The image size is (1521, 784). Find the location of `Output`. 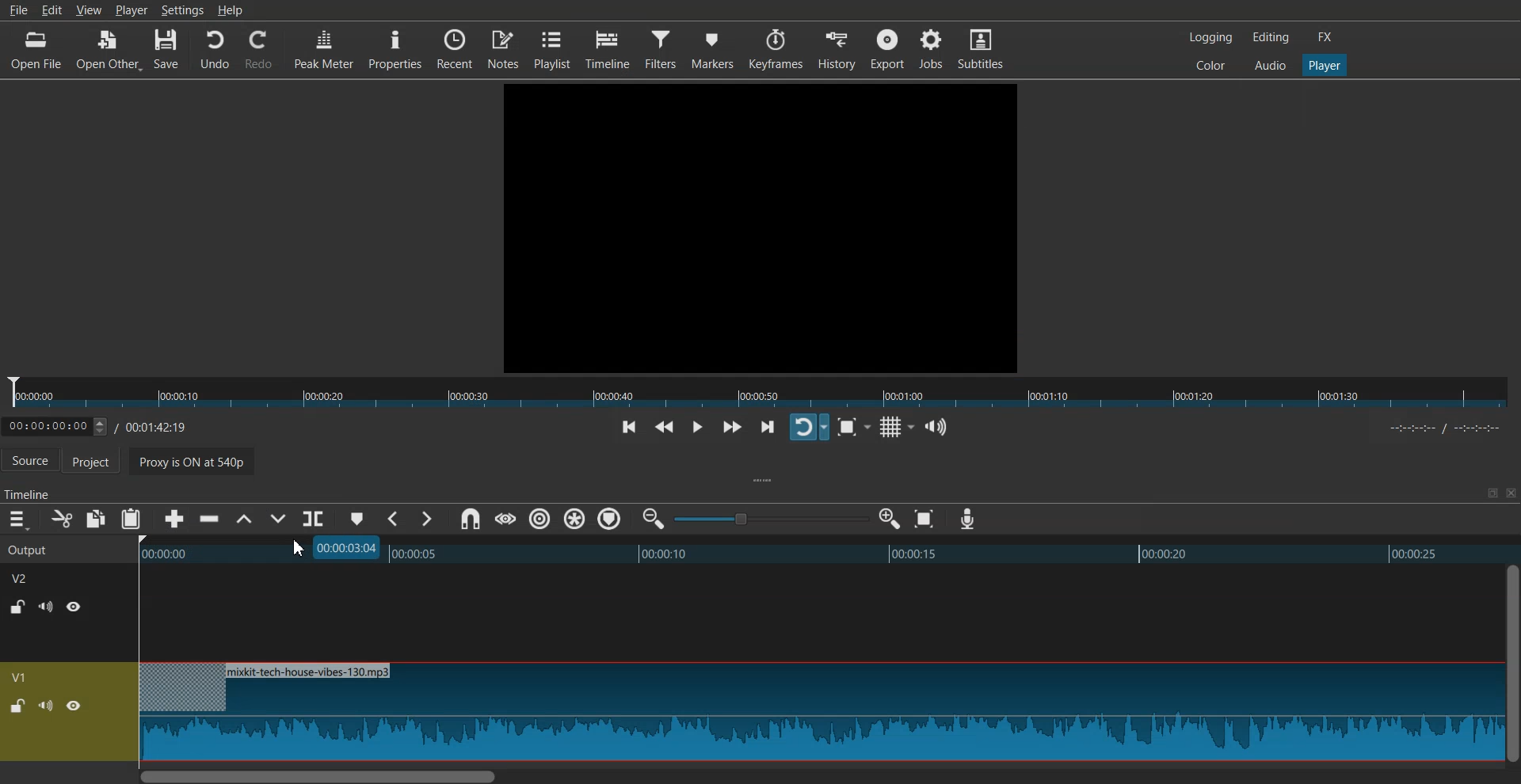

Output is located at coordinates (67, 548).